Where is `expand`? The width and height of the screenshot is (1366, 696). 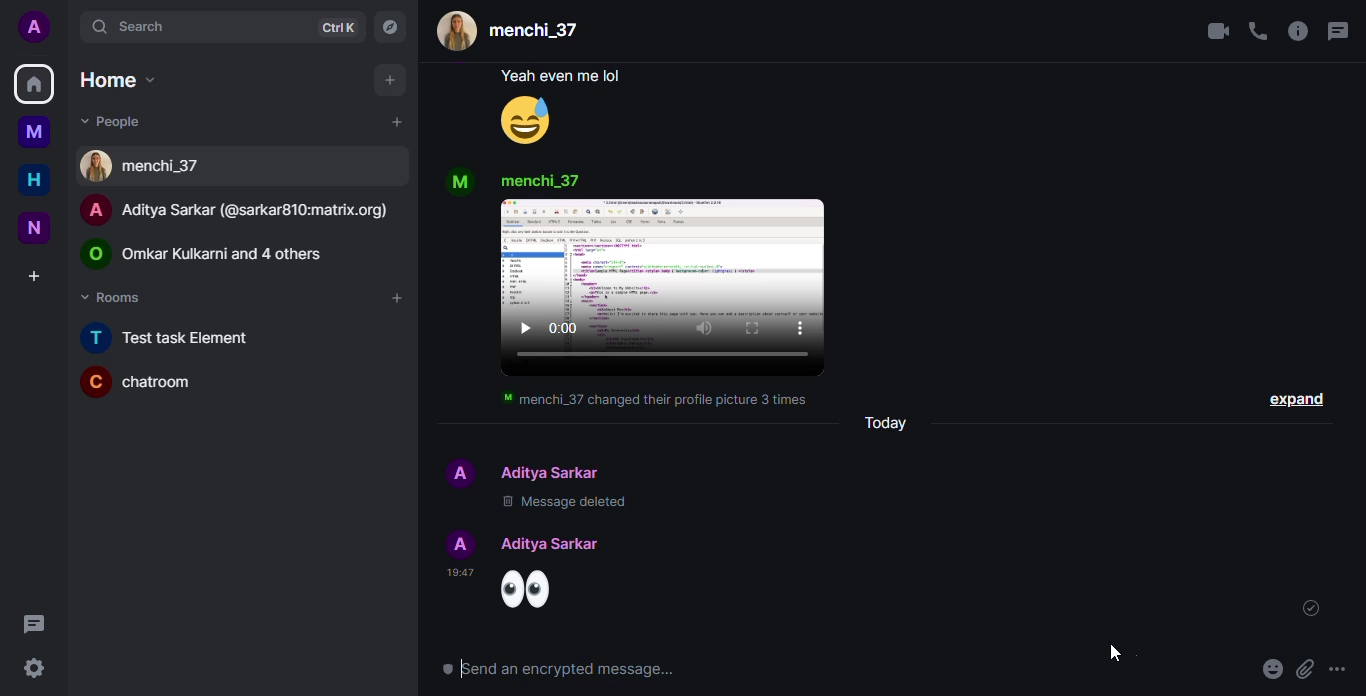
expand is located at coordinates (1295, 402).